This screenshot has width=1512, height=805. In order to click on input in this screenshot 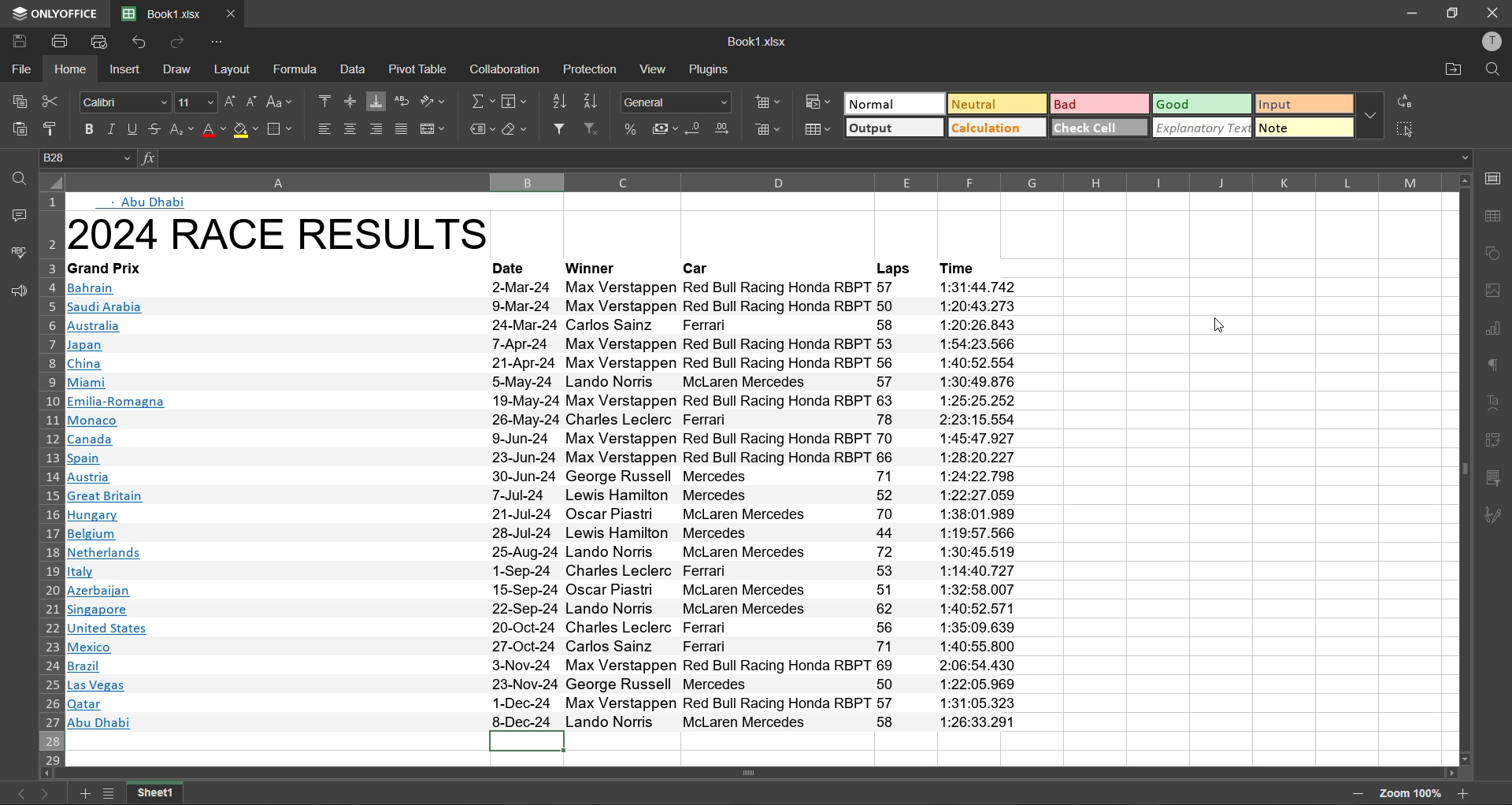, I will do `click(1304, 103)`.